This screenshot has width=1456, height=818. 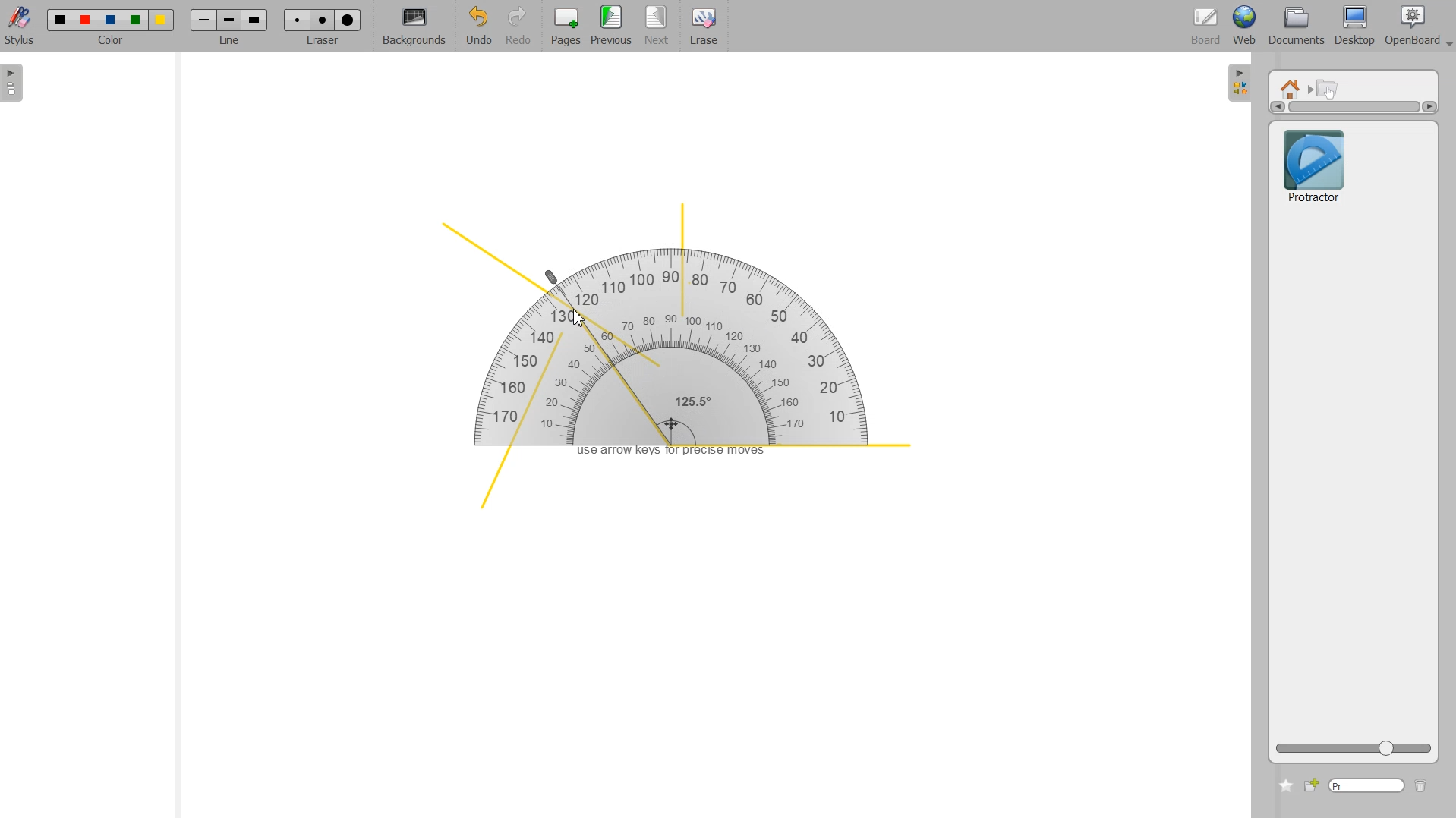 What do you see at coordinates (476, 27) in the screenshot?
I see `Undo` at bounding box center [476, 27].